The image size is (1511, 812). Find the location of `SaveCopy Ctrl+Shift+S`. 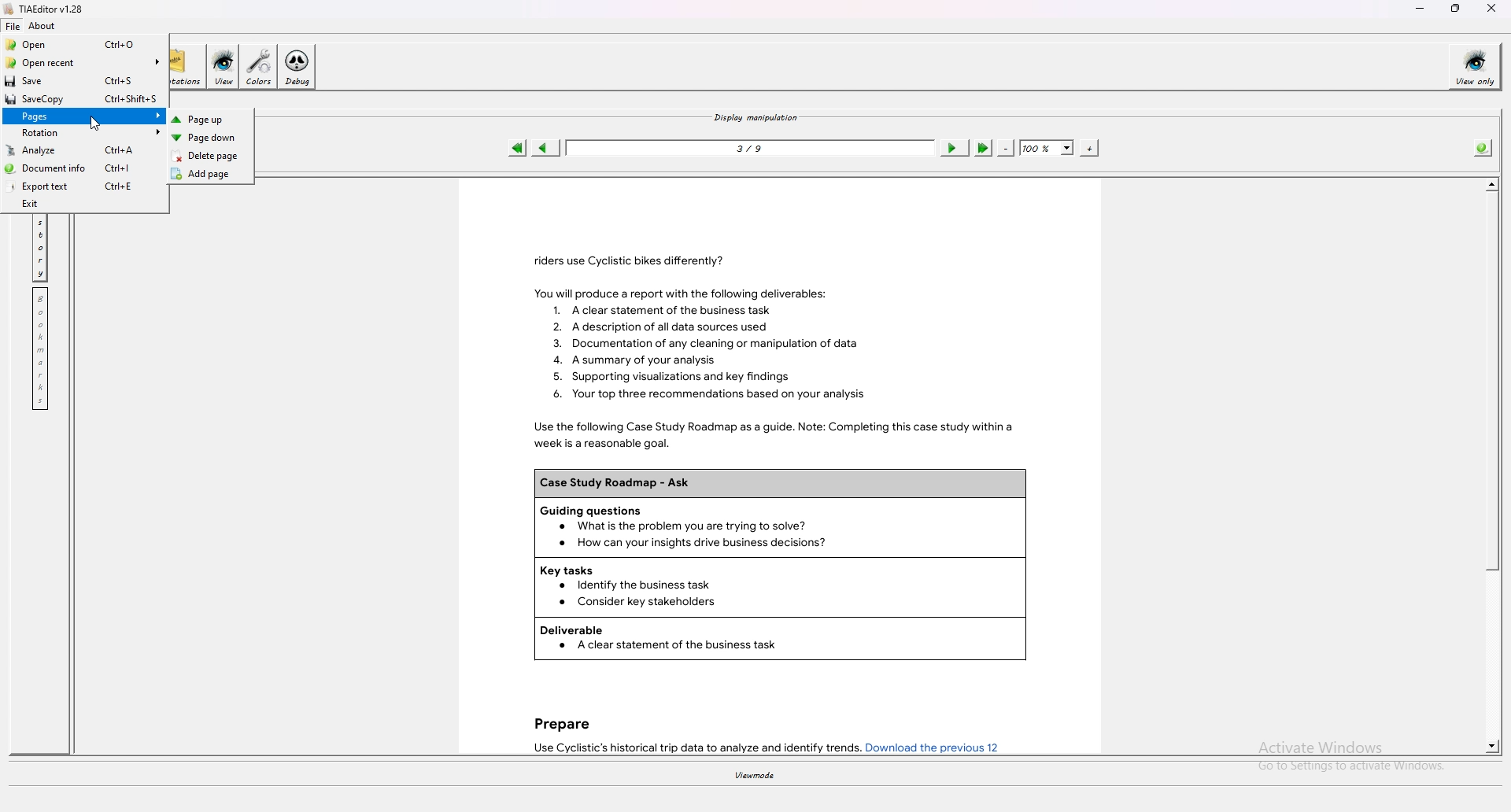

SaveCopy Ctrl+Shift+S is located at coordinates (83, 98).